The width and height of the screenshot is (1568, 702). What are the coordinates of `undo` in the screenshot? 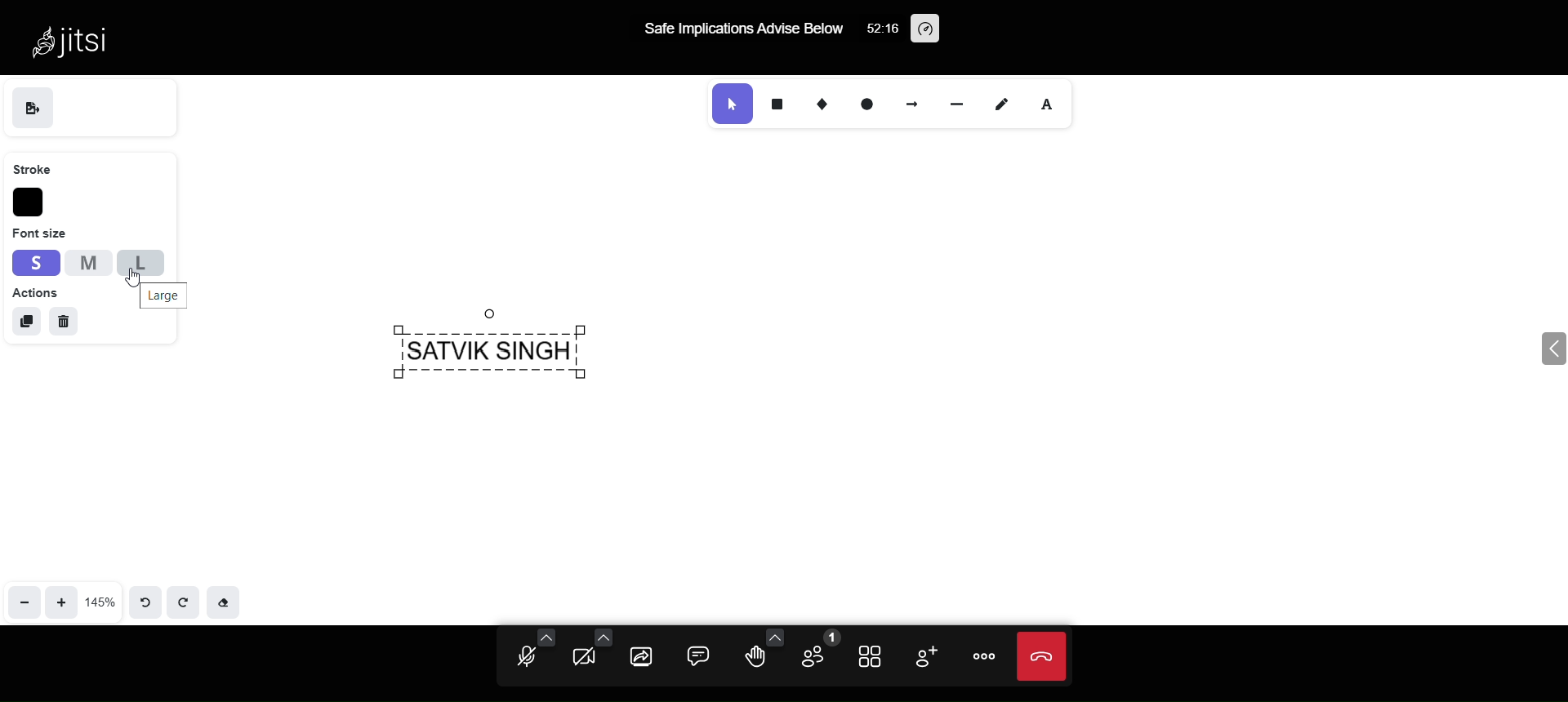 It's located at (142, 600).